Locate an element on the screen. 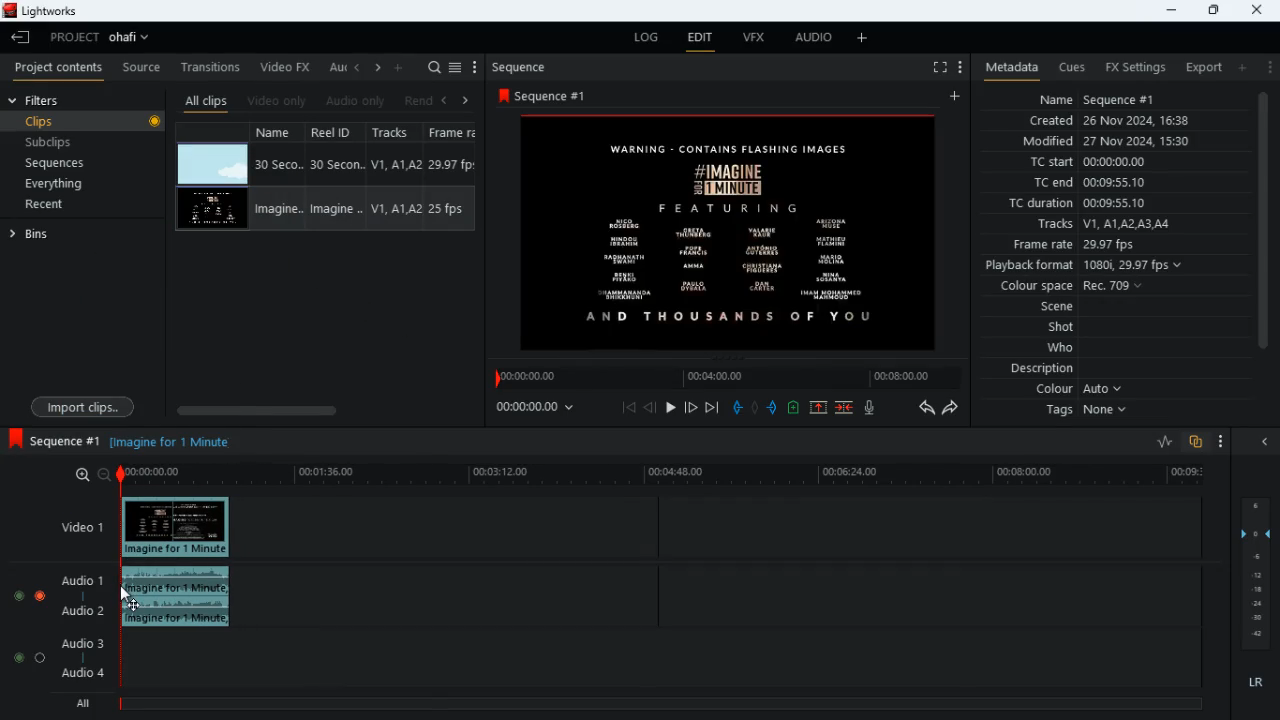  Imagine is located at coordinates (282, 208).